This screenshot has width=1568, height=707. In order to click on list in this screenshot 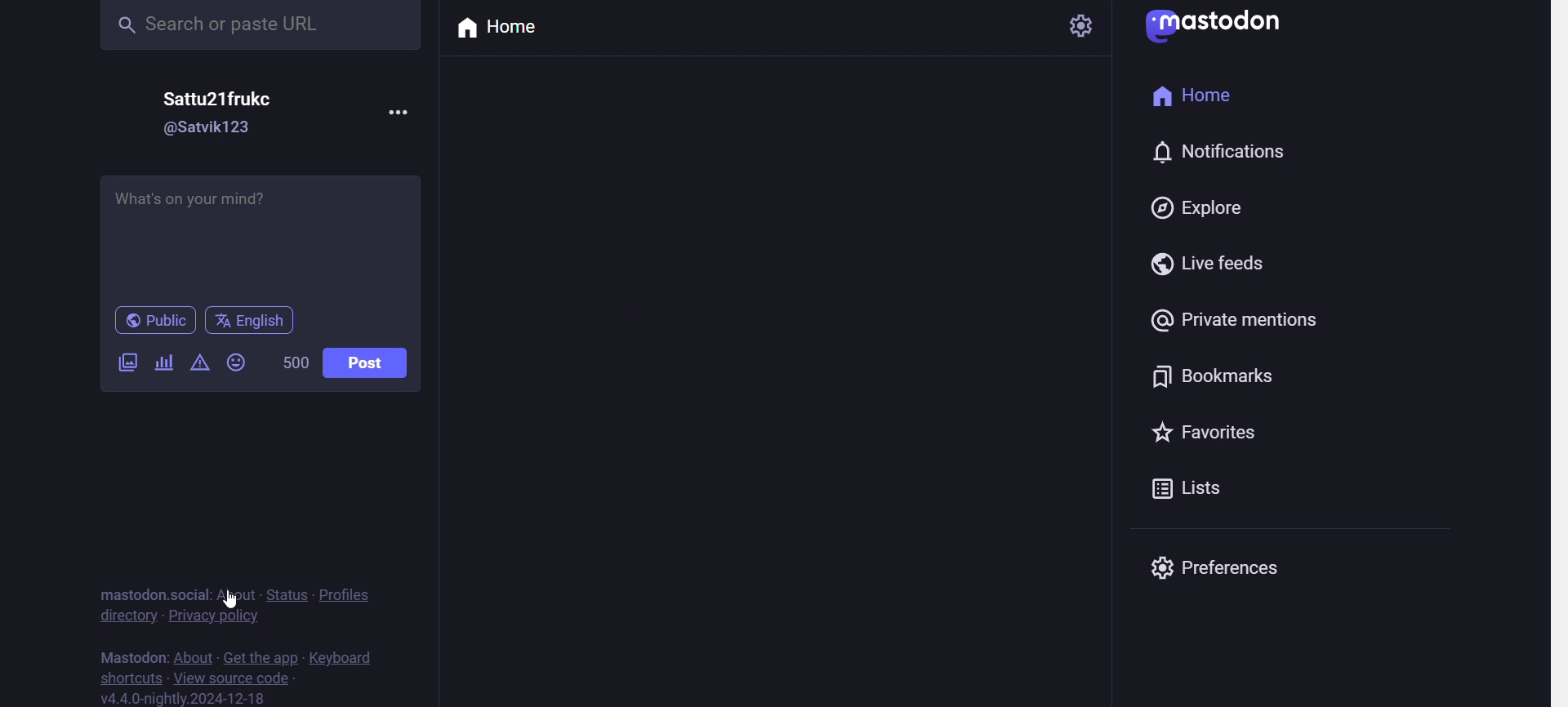, I will do `click(1191, 496)`.